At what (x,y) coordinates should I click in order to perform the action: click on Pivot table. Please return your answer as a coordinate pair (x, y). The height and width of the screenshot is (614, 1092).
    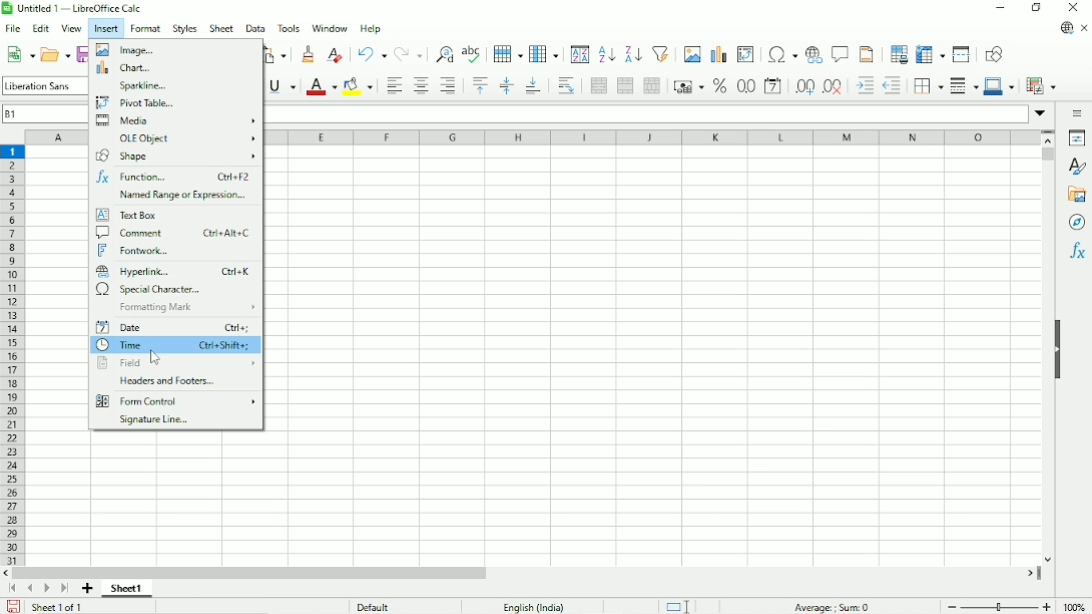
    Looking at the image, I should click on (135, 104).